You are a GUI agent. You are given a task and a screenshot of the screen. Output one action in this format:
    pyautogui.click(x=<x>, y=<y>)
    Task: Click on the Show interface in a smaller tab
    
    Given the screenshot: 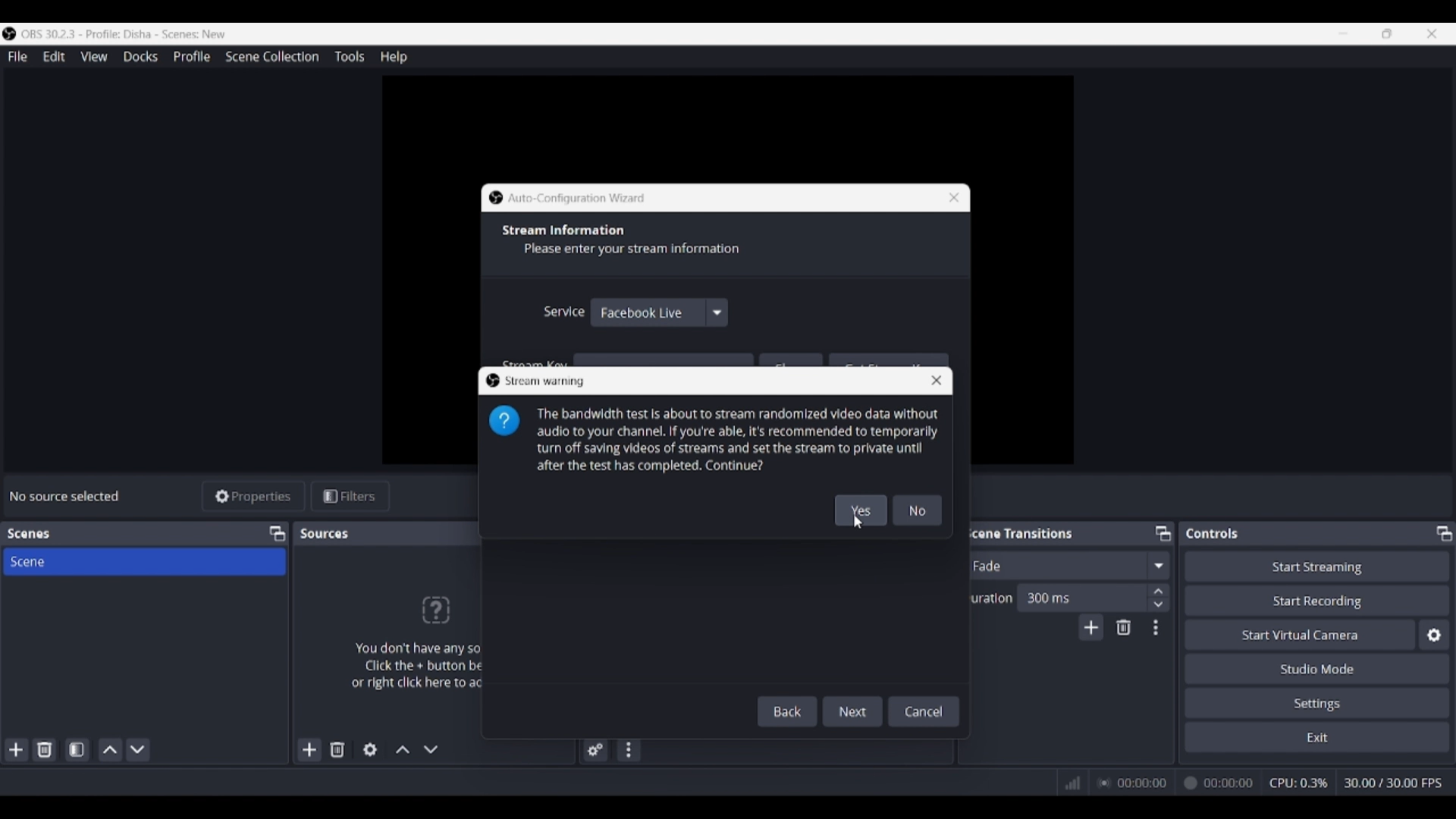 What is the action you would take?
    pyautogui.click(x=1387, y=33)
    